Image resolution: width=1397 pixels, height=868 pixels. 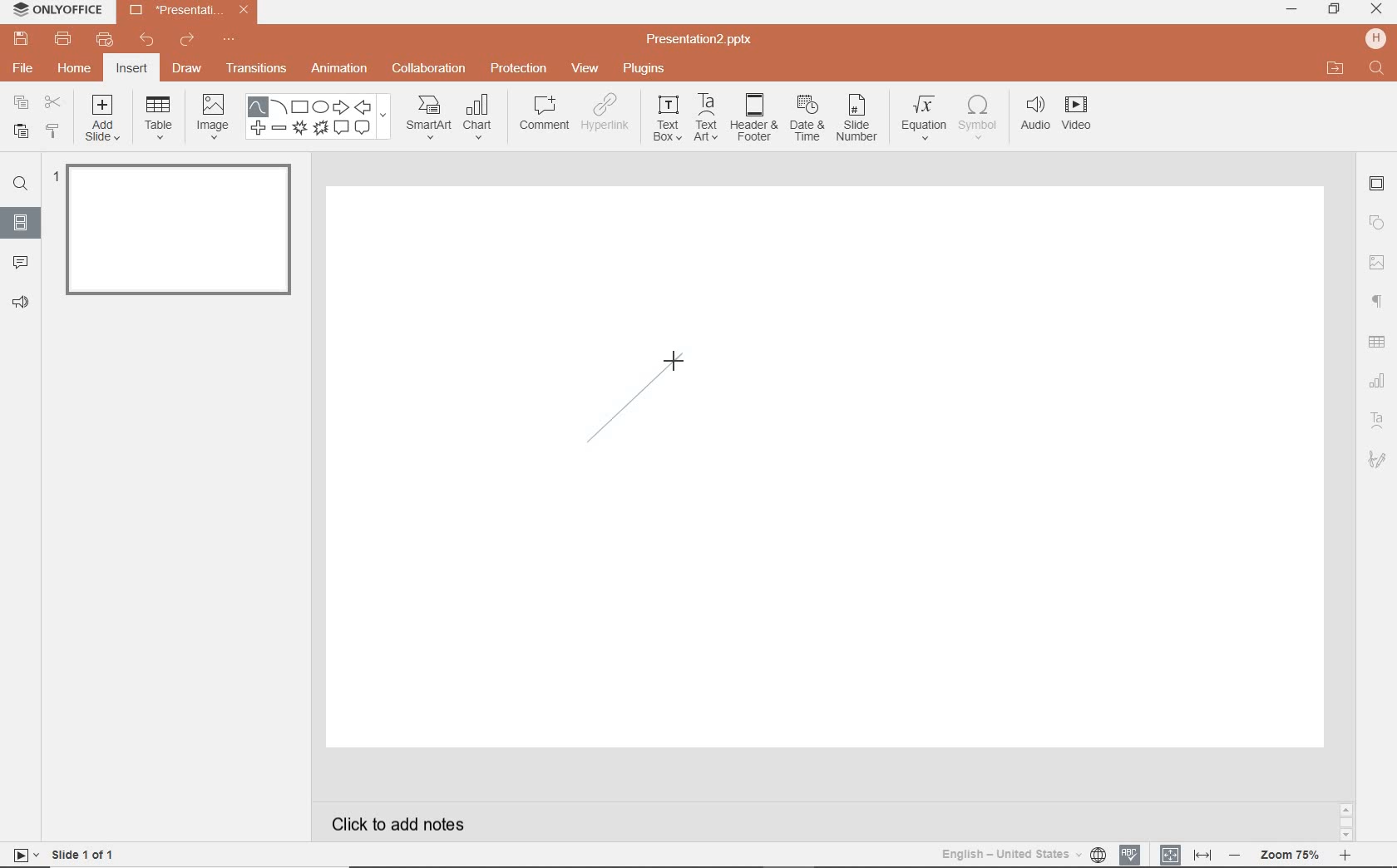 I want to click on SLIDE SETTINGS, so click(x=1378, y=185).